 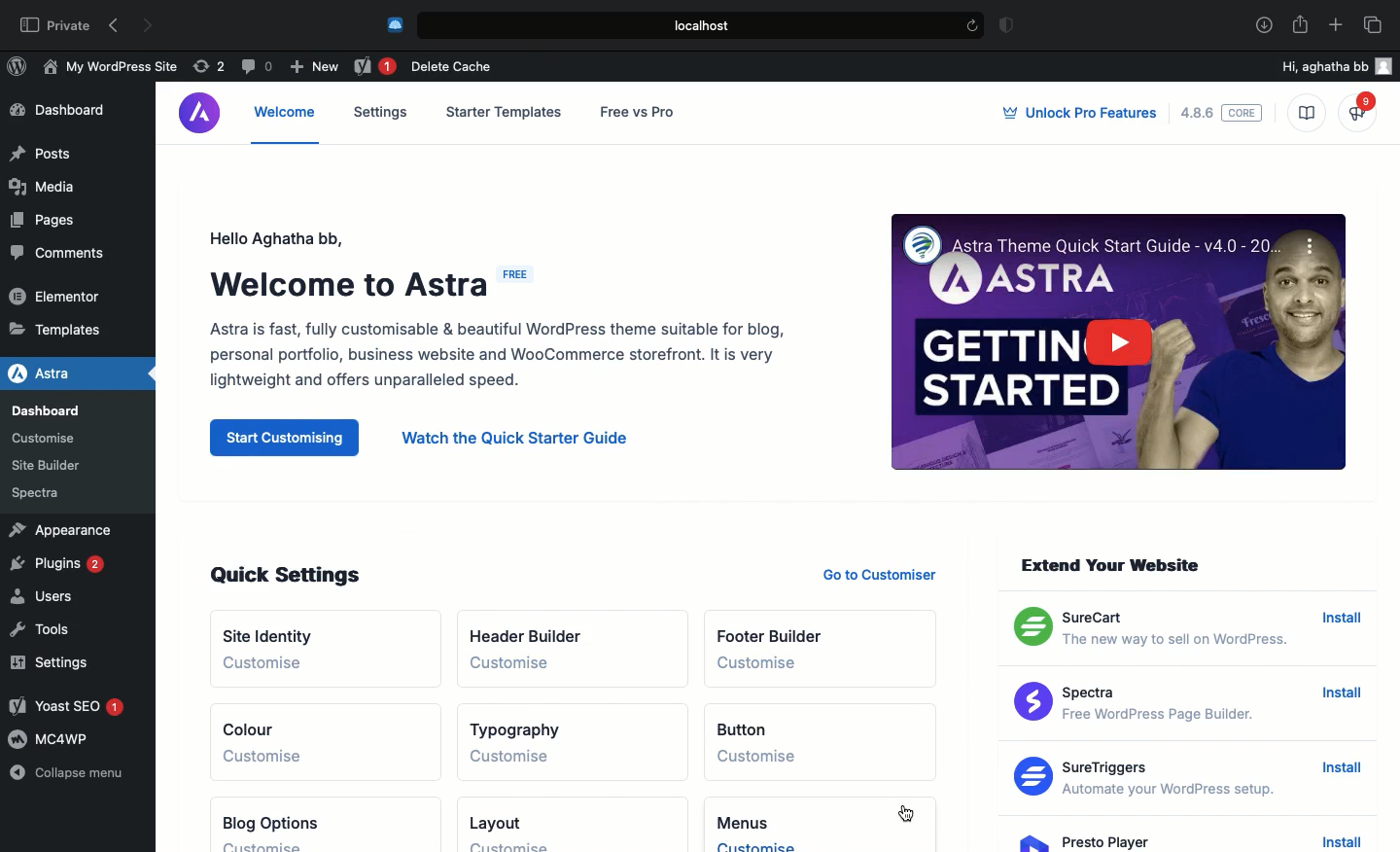 I want to click on Back, so click(x=118, y=26).